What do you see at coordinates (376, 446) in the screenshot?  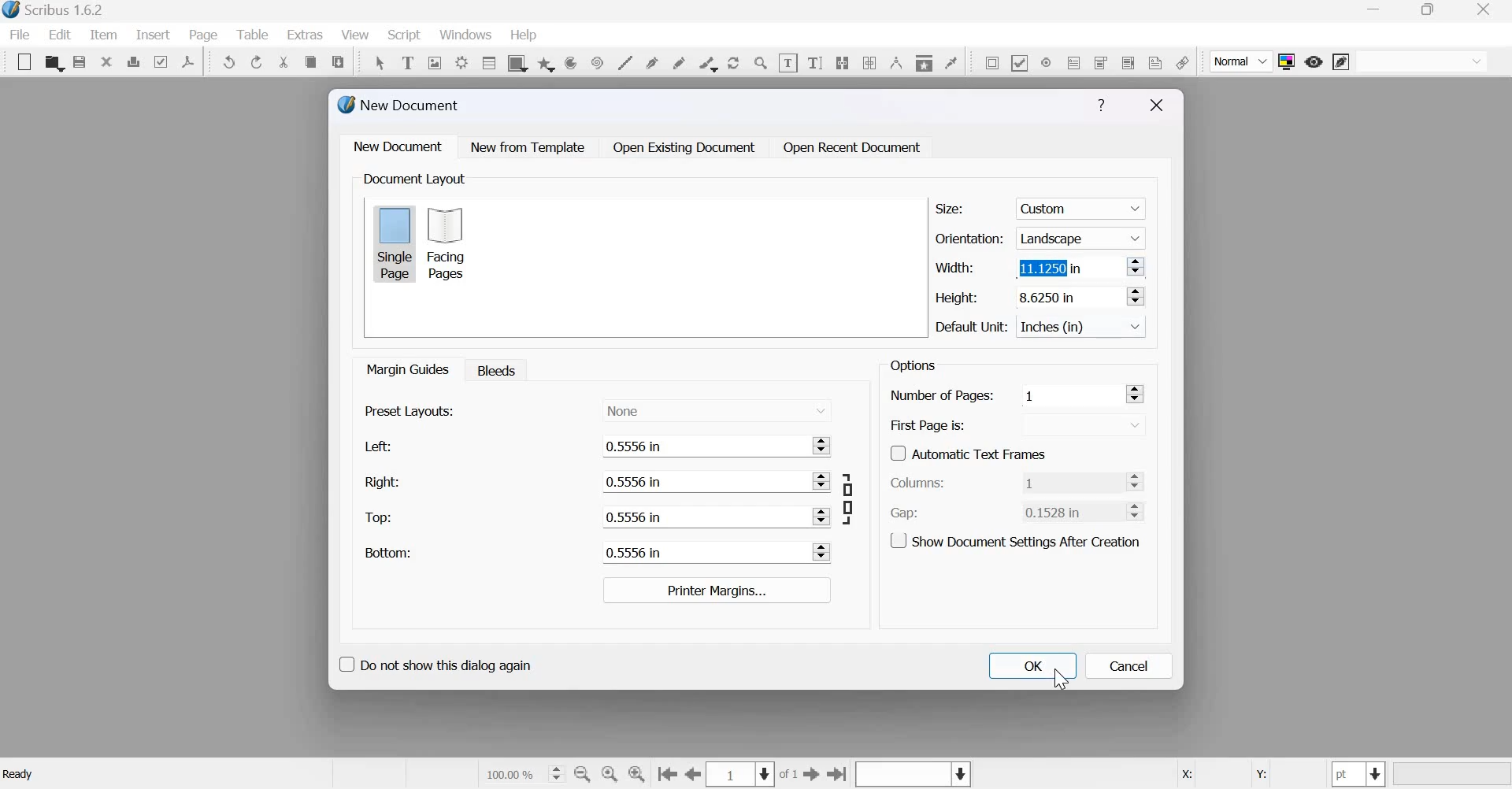 I see `Left:` at bounding box center [376, 446].